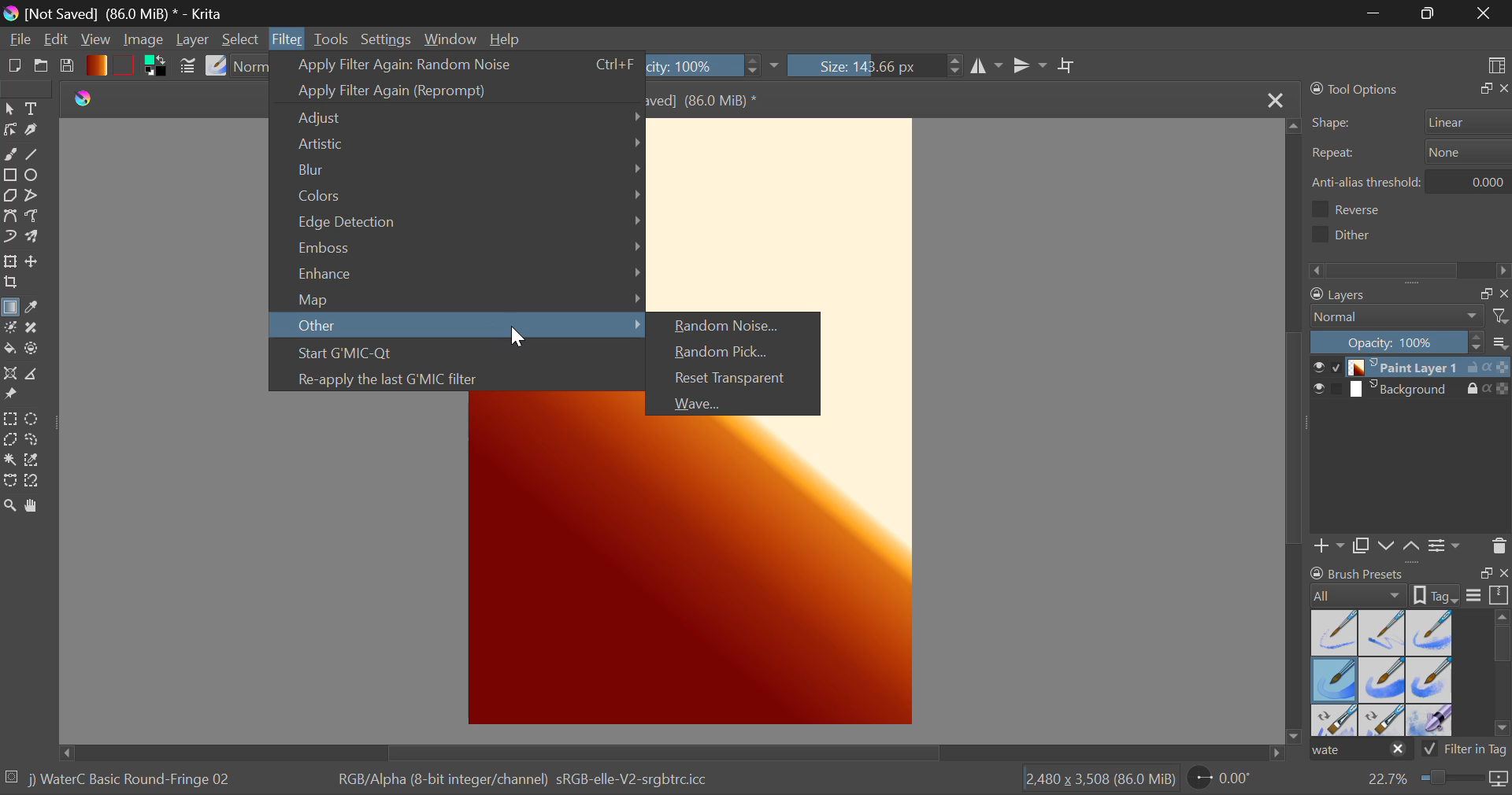 The width and height of the screenshot is (1512, 795). Describe the element at coordinates (335, 39) in the screenshot. I see `Tools` at that location.